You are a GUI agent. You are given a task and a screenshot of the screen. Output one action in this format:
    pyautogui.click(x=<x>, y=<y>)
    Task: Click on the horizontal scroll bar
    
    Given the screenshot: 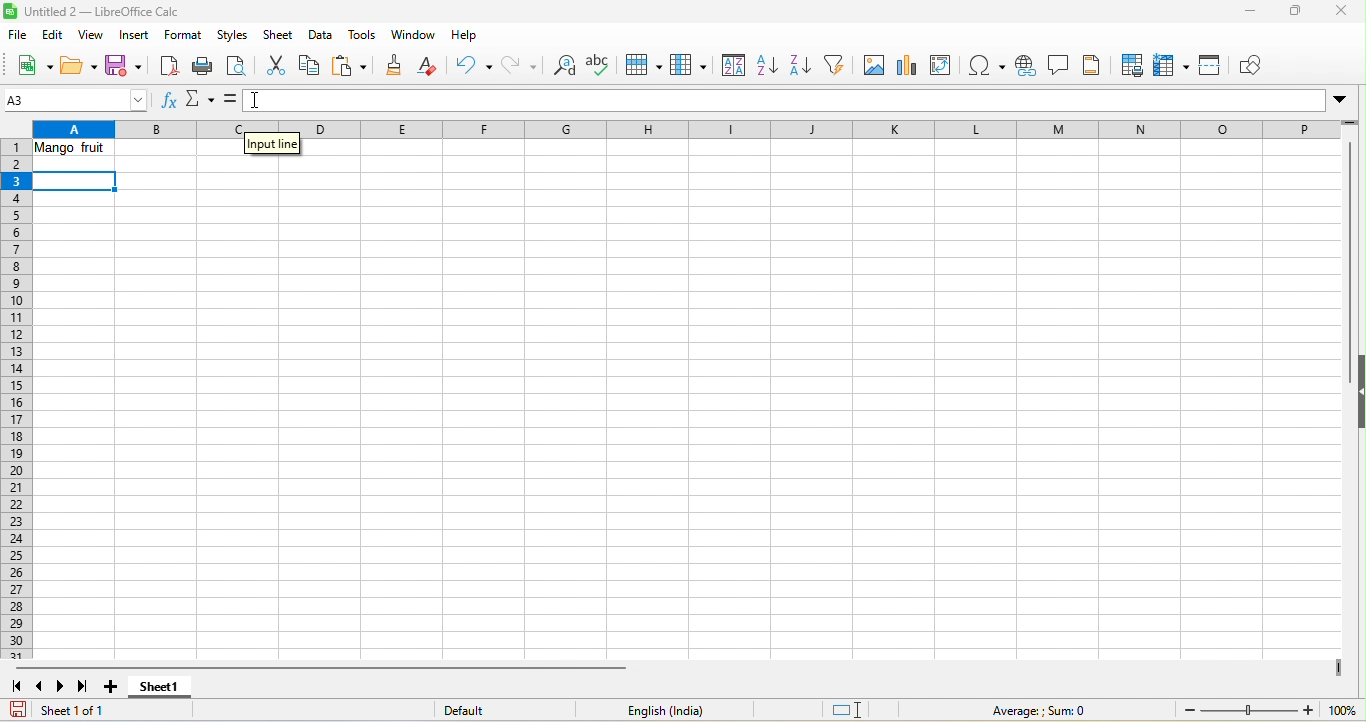 What is the action you would take?
    pyautogui.click(x=314, y=667)
    